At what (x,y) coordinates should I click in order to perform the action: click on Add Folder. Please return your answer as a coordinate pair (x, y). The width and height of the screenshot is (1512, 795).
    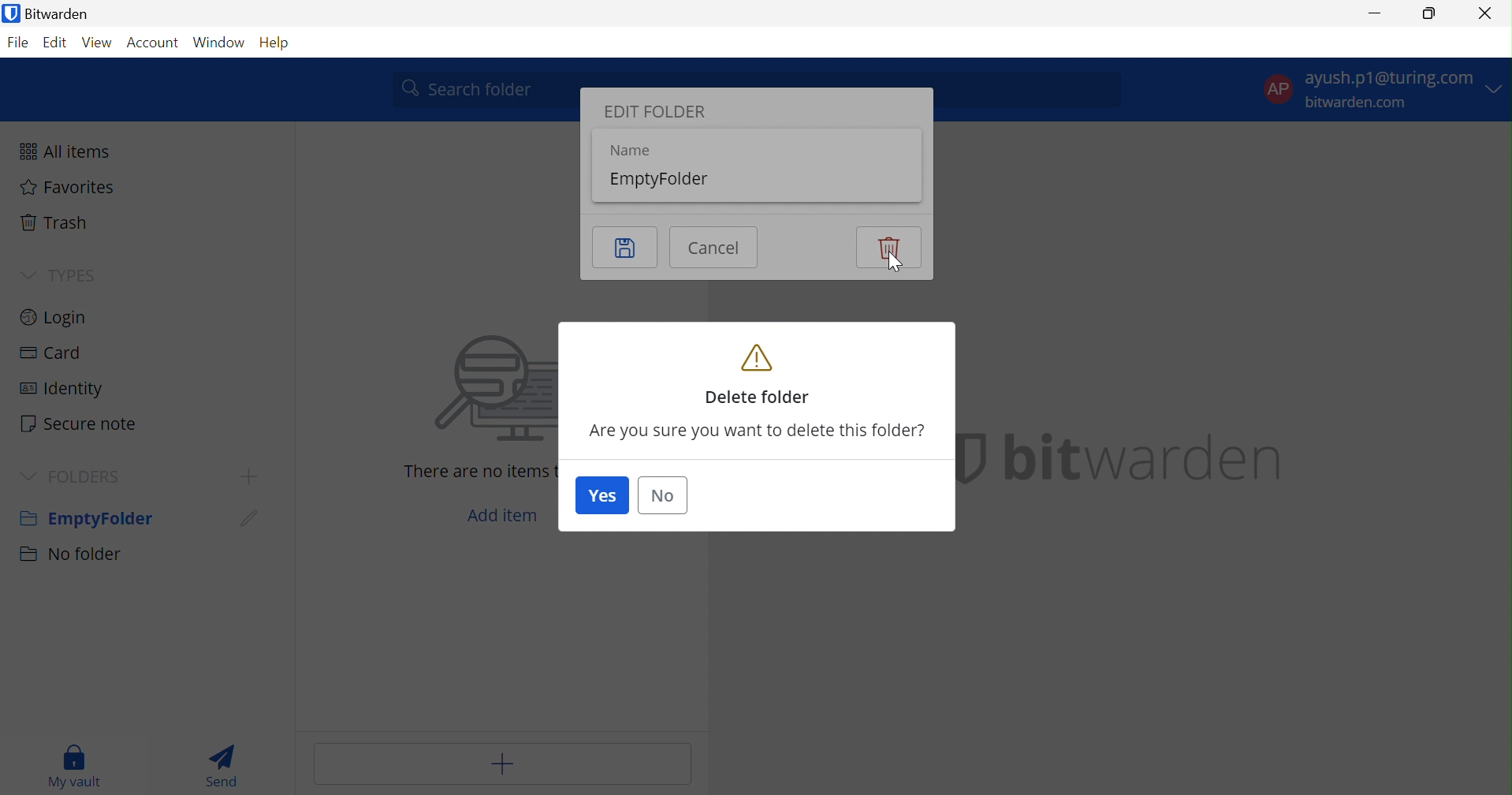
    Looking at the image, I should click on (252, 476).